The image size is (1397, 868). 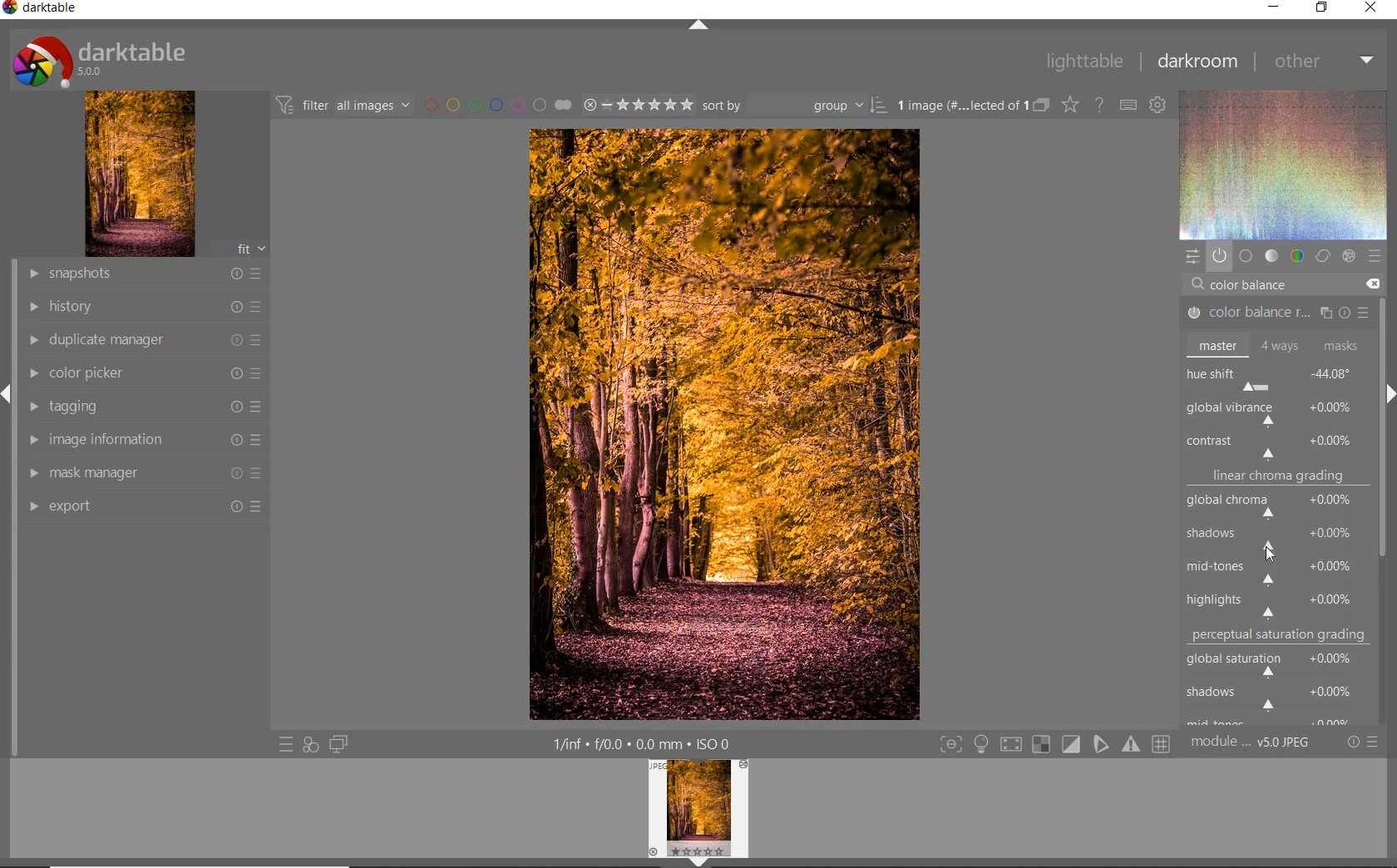 What do you see at coordinates (1374, 255) in the screenshot?
I see `preset` at bounding box center [1374, 255].